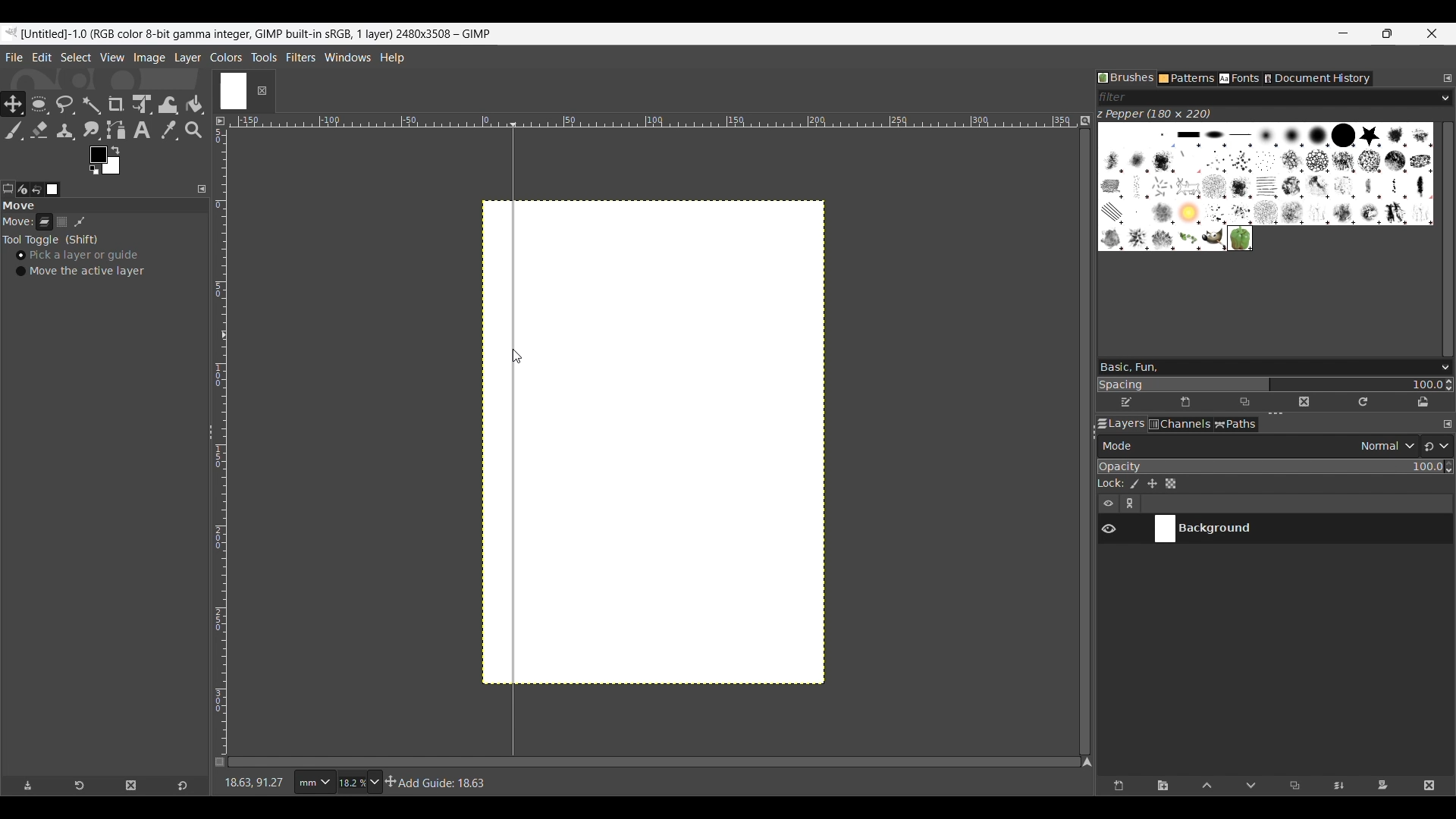 The height and width of the screenshot is (819, 1456). I want to click on Configure this tab, so click(1448, 78).